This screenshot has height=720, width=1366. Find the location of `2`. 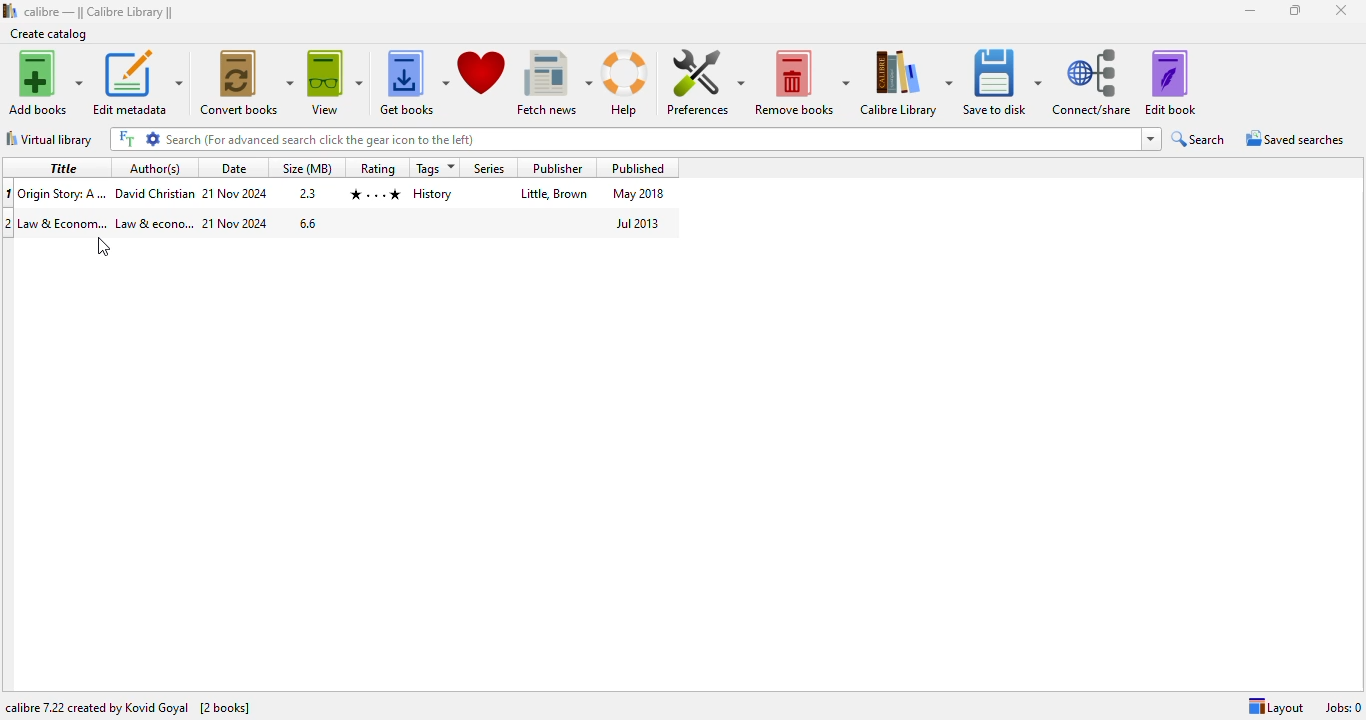

2 is located at coordinates (9, 223).